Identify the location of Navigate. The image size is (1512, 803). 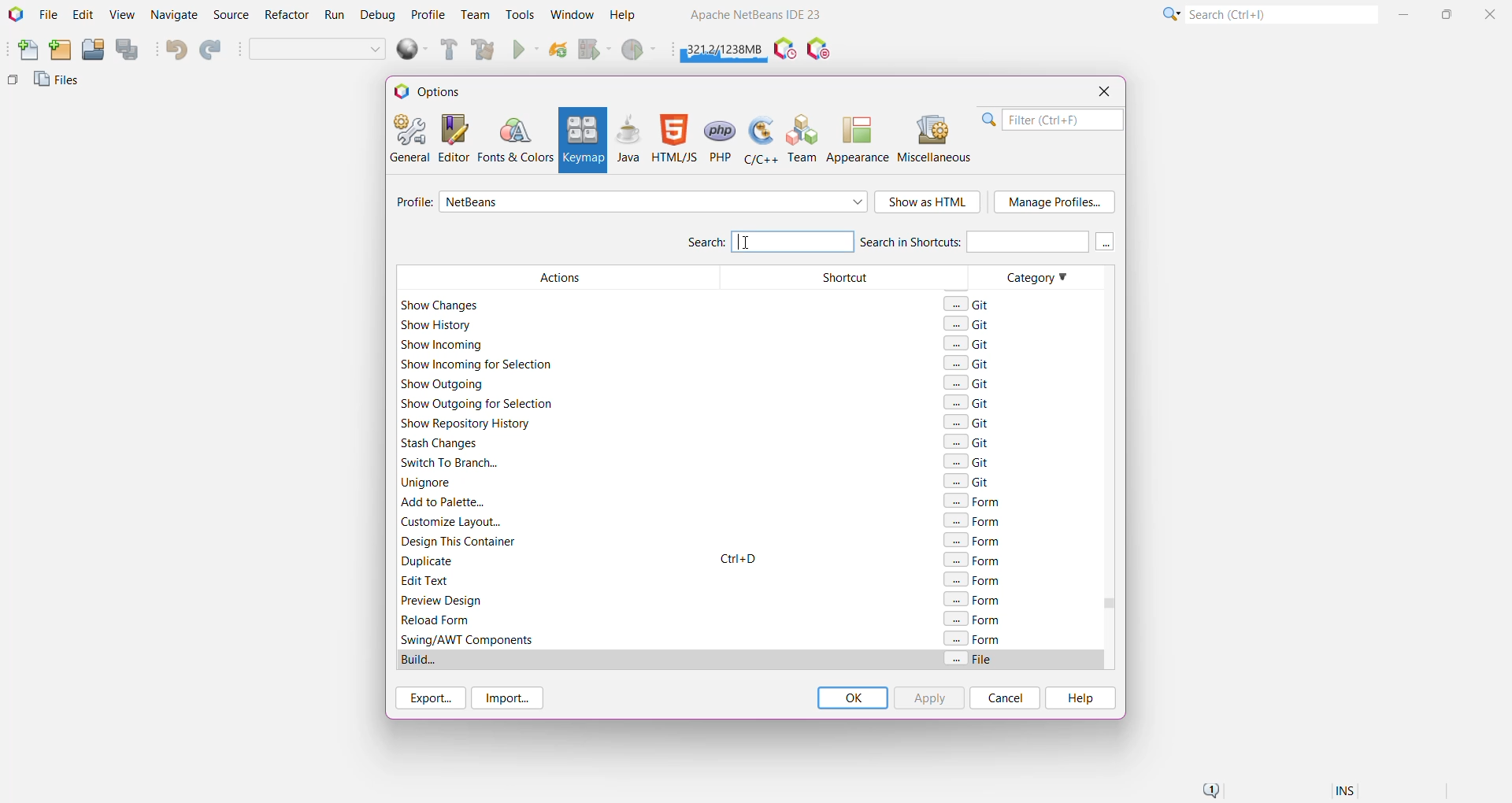
(175, 16).